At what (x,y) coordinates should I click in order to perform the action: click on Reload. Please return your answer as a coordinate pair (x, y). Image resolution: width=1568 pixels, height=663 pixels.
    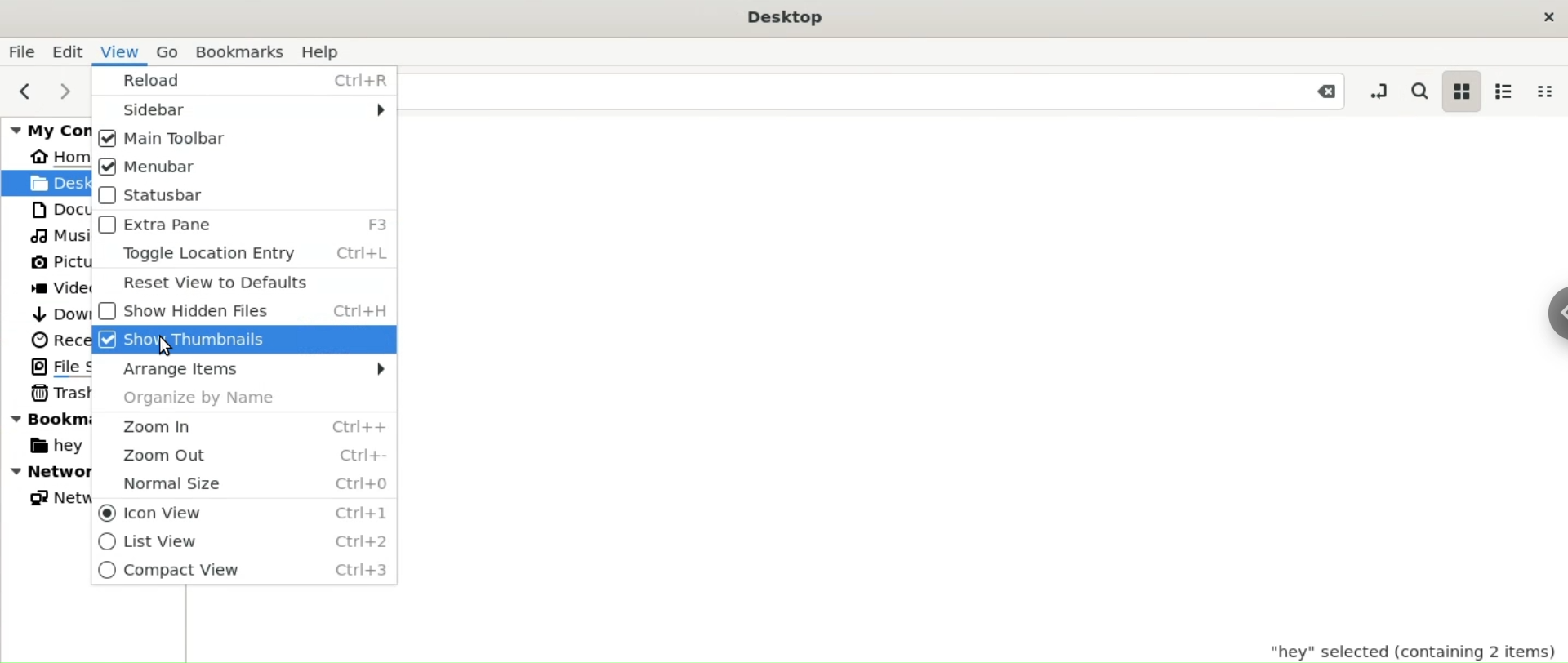
    Looking at the image, I should click on (241, 79).